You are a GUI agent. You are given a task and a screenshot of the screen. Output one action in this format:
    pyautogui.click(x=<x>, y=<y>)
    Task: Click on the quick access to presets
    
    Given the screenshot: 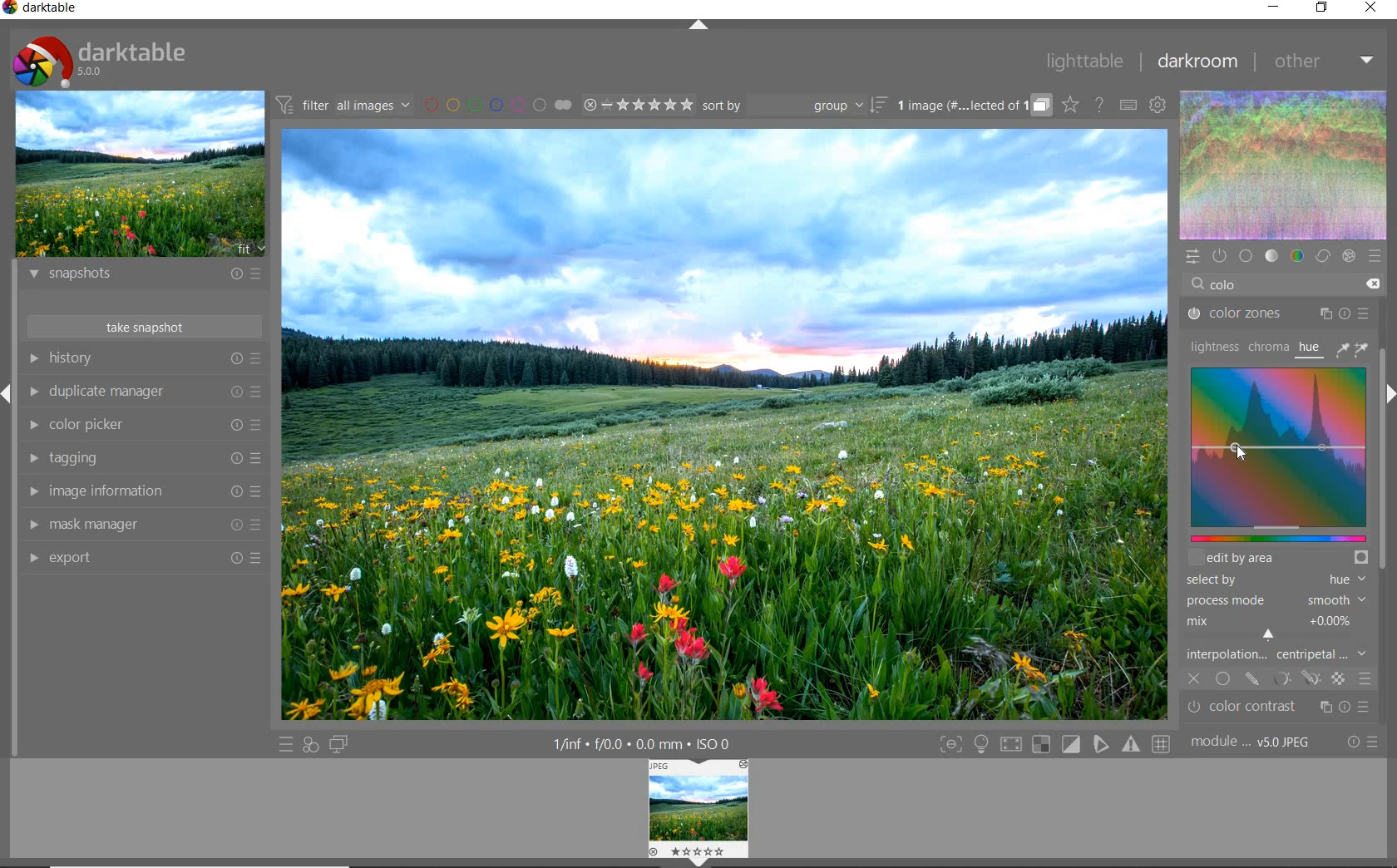 What is the action you would take?
    pyautogui.click(x=287, y=745)
    